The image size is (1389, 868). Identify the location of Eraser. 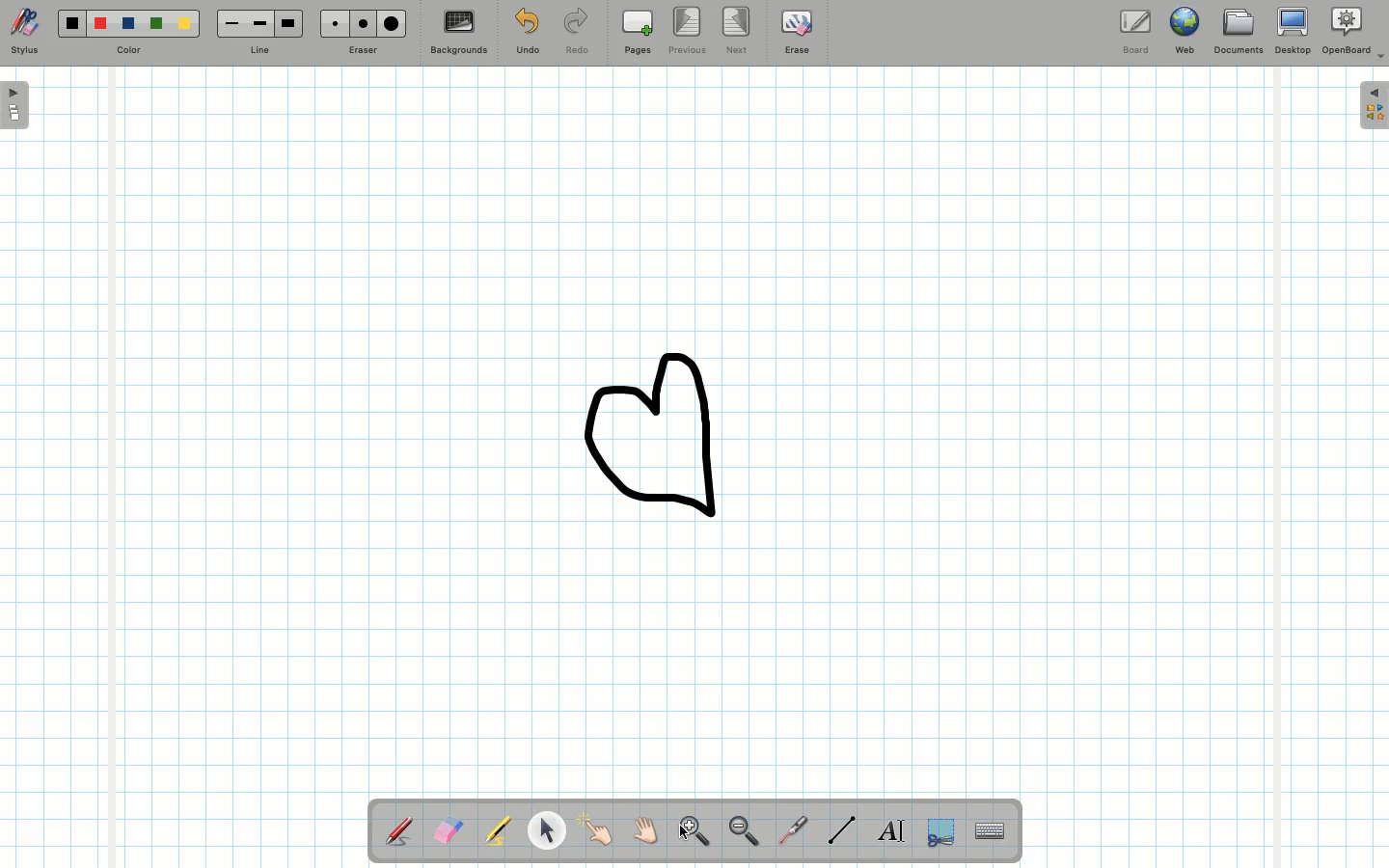
(448, 830).